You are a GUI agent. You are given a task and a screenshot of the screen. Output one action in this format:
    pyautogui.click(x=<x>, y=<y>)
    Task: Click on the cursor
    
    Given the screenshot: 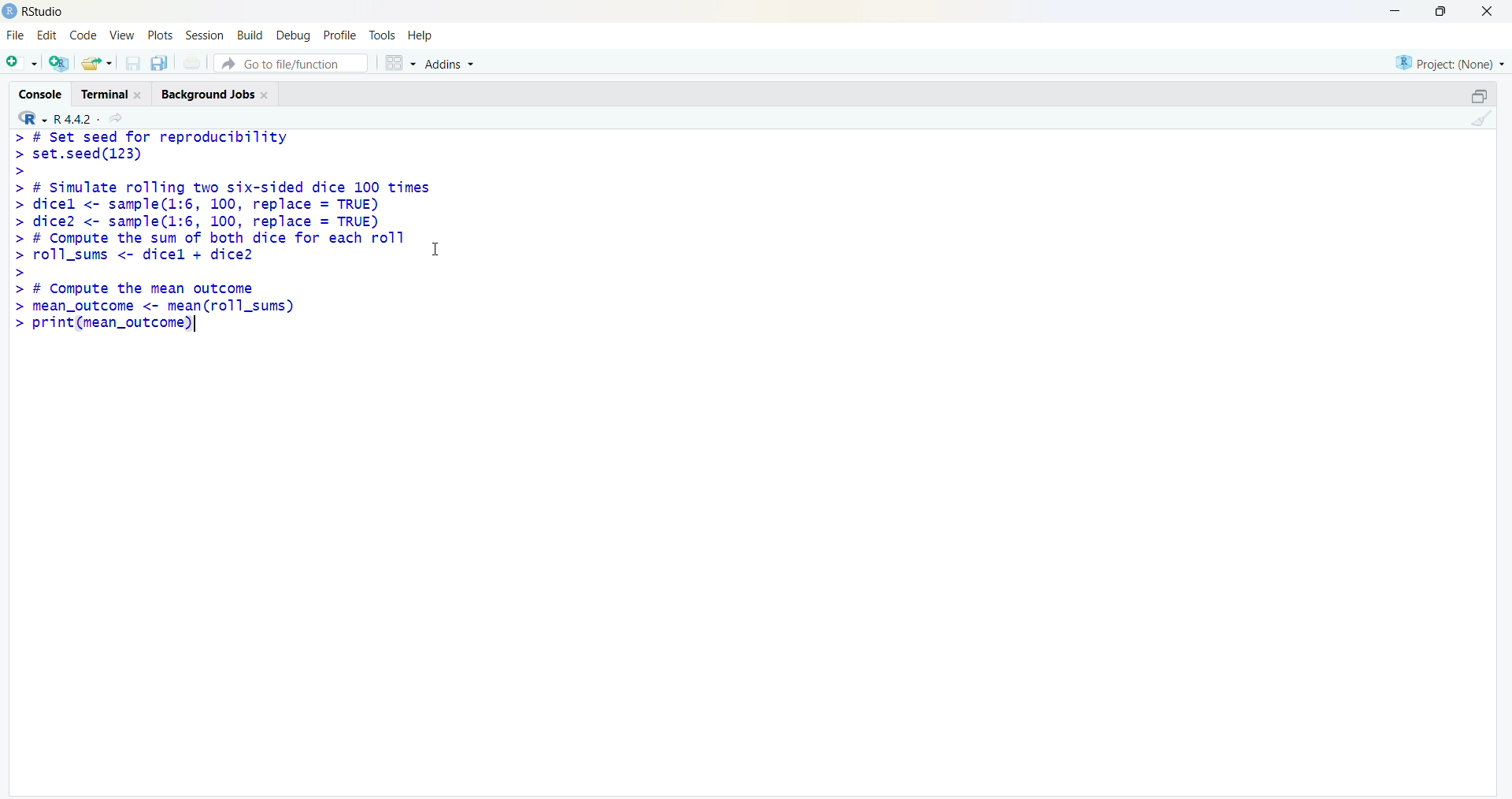 What is the action you would take?
    pyautogui.click(x=435, y=250)
    